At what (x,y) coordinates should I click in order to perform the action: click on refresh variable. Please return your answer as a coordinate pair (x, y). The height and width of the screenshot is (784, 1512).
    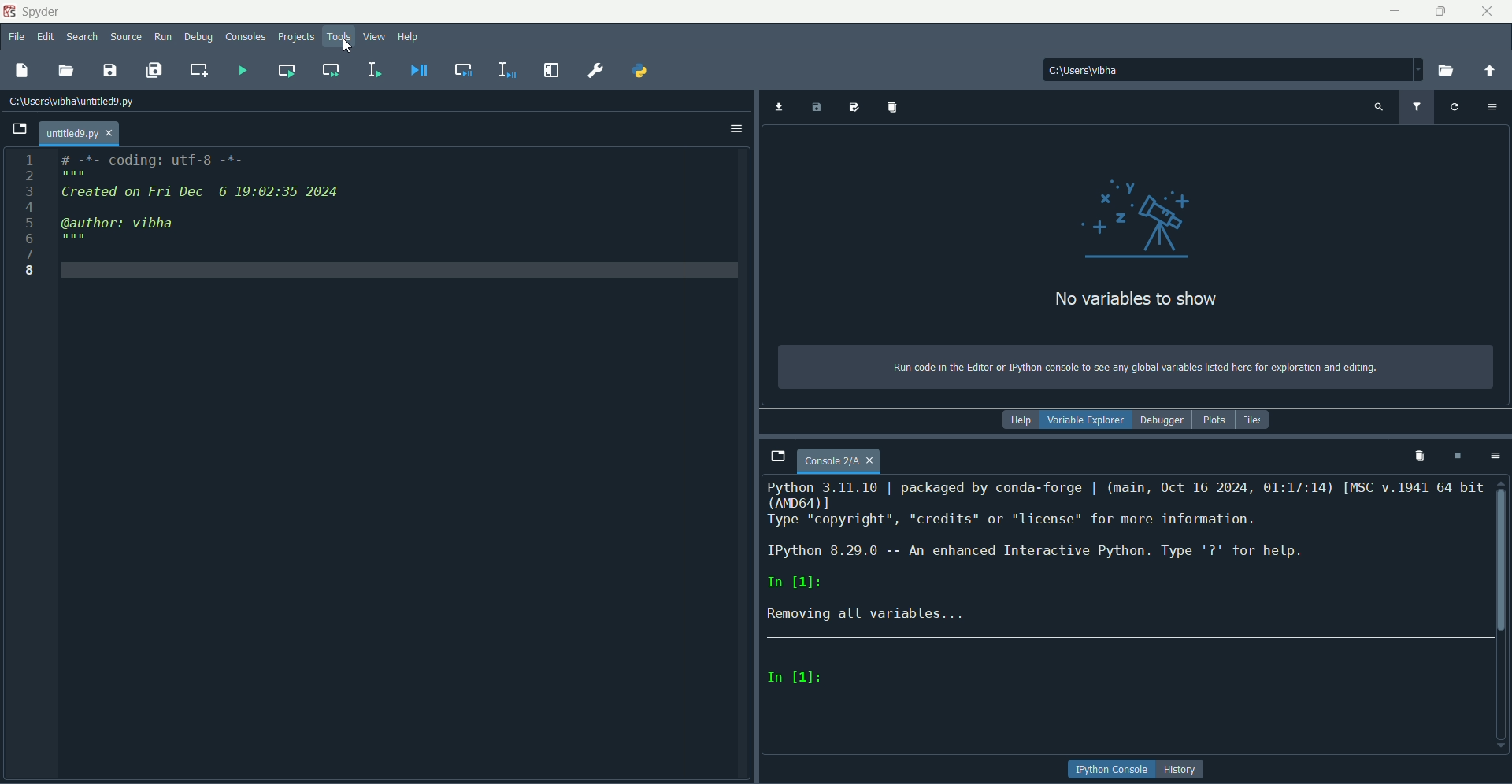
    Looking at the image, I should click on (1455, 105).